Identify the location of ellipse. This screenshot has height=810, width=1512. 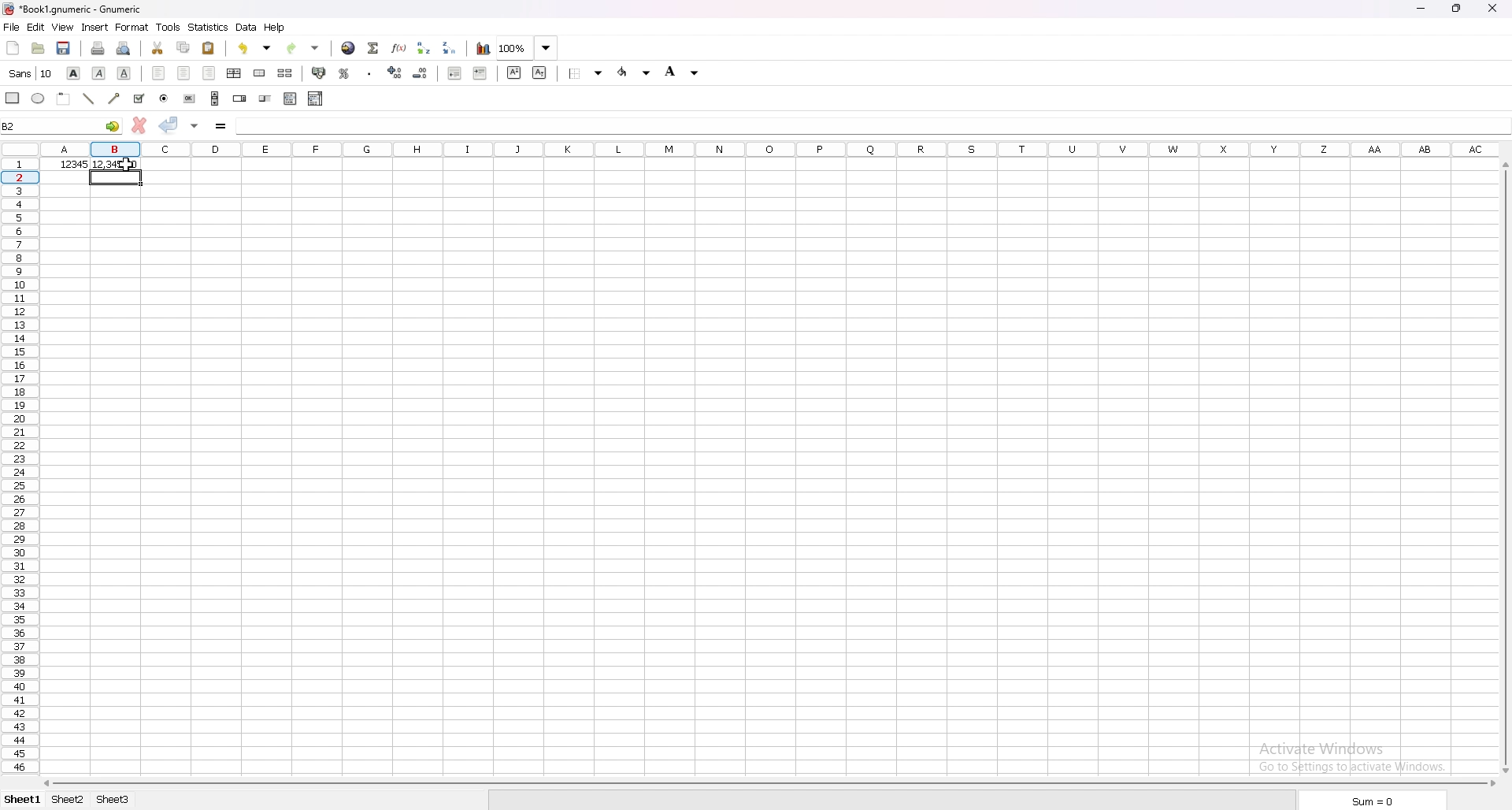
(39, 98).